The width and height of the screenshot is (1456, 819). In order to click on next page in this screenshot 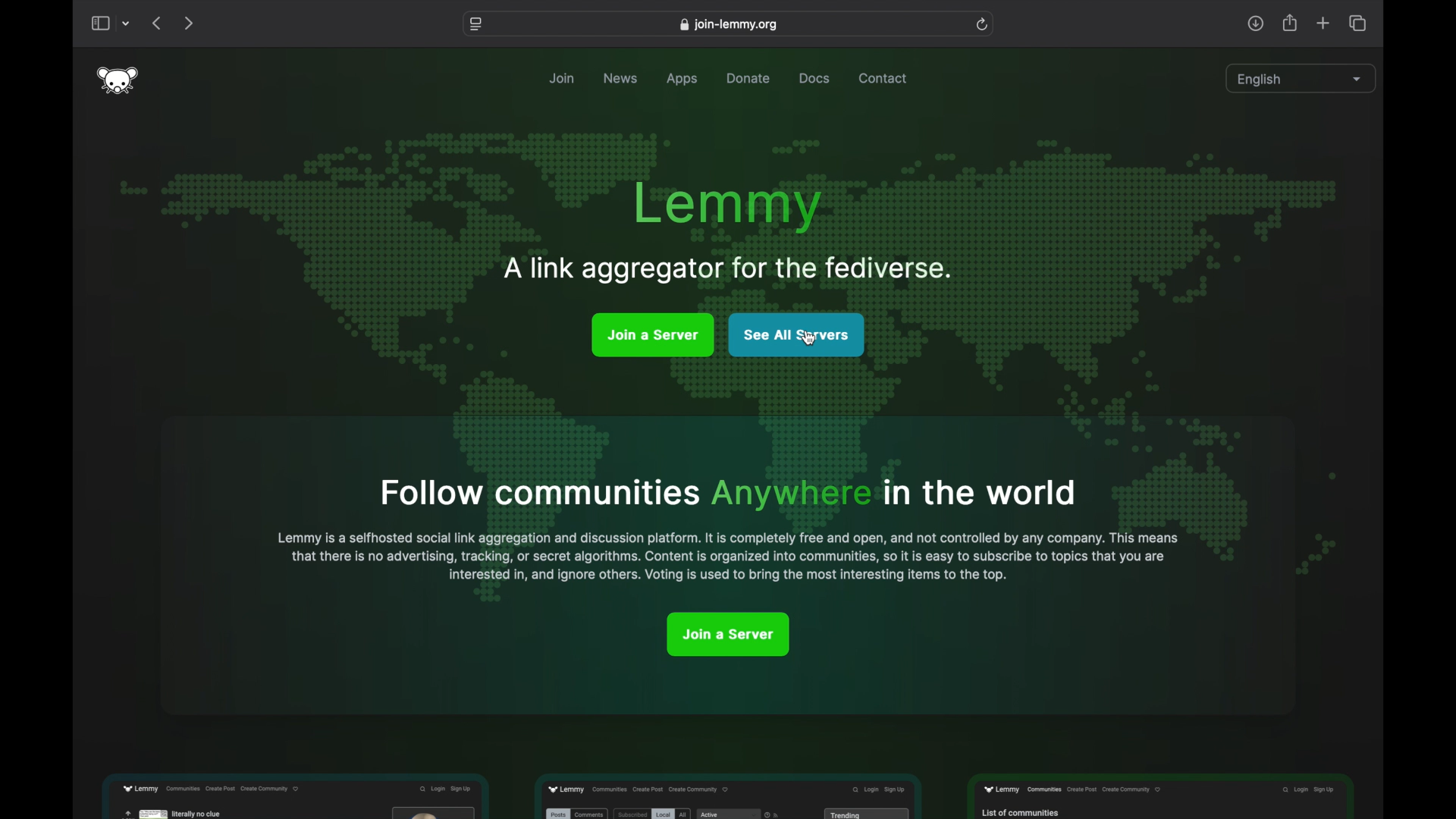, I will do `click(190, 23)`.